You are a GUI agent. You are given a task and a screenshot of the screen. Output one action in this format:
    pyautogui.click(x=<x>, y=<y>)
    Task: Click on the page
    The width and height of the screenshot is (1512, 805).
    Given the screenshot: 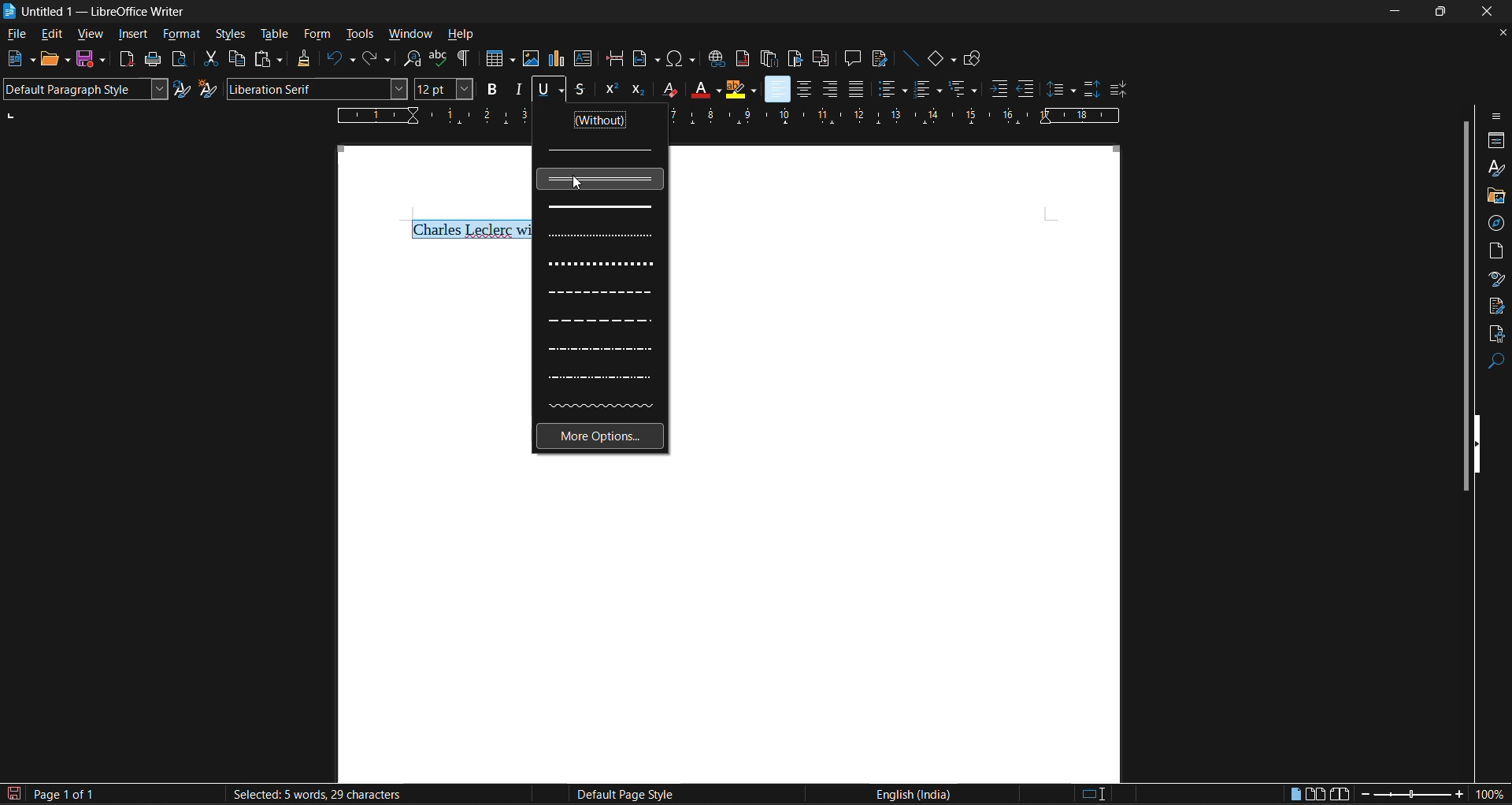 What is the action you would take?
    pyautogui.click(x=1497, y=249)
    